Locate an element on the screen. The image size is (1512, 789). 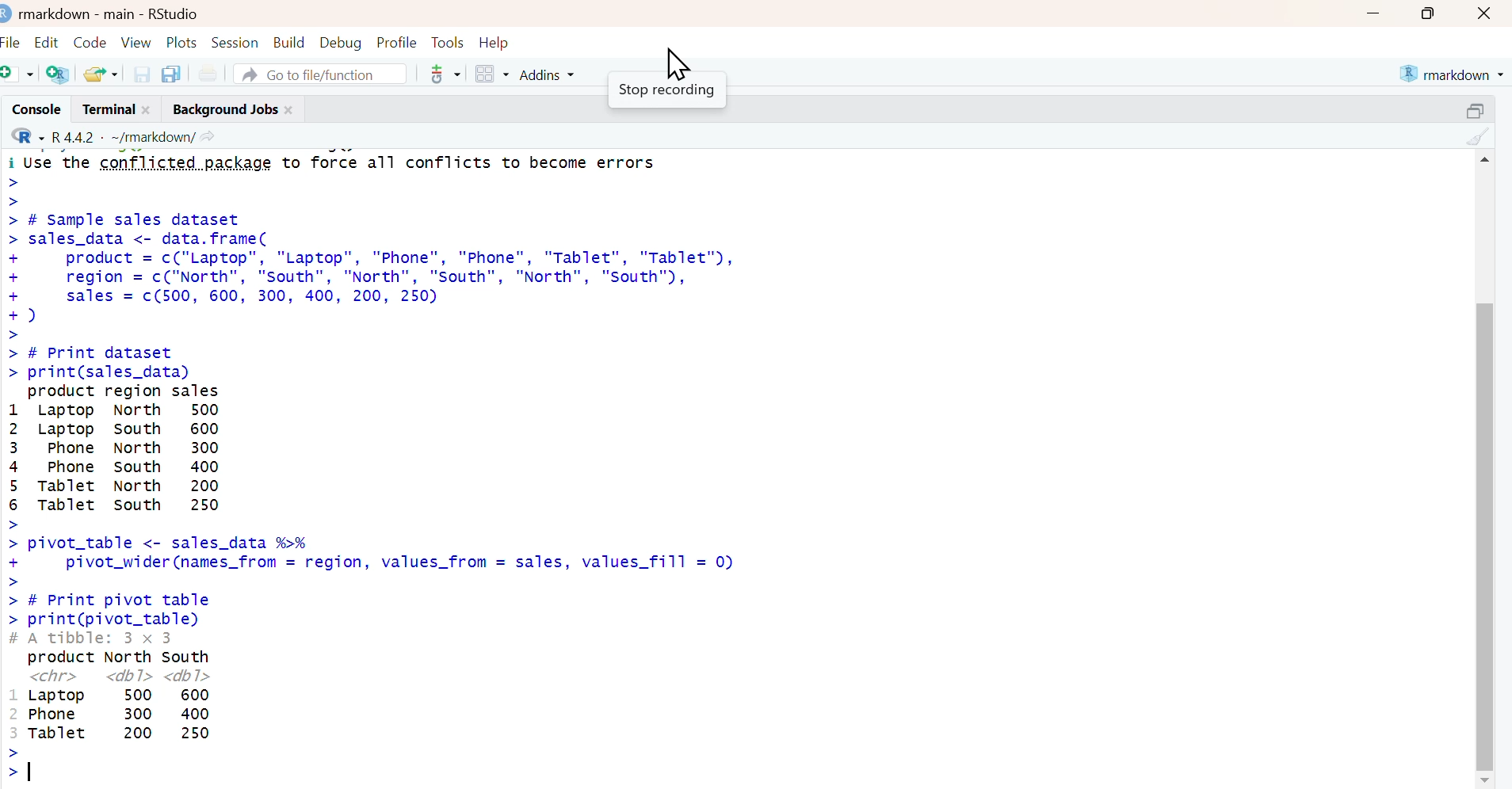
resize is located at coordinates (1480, 108).